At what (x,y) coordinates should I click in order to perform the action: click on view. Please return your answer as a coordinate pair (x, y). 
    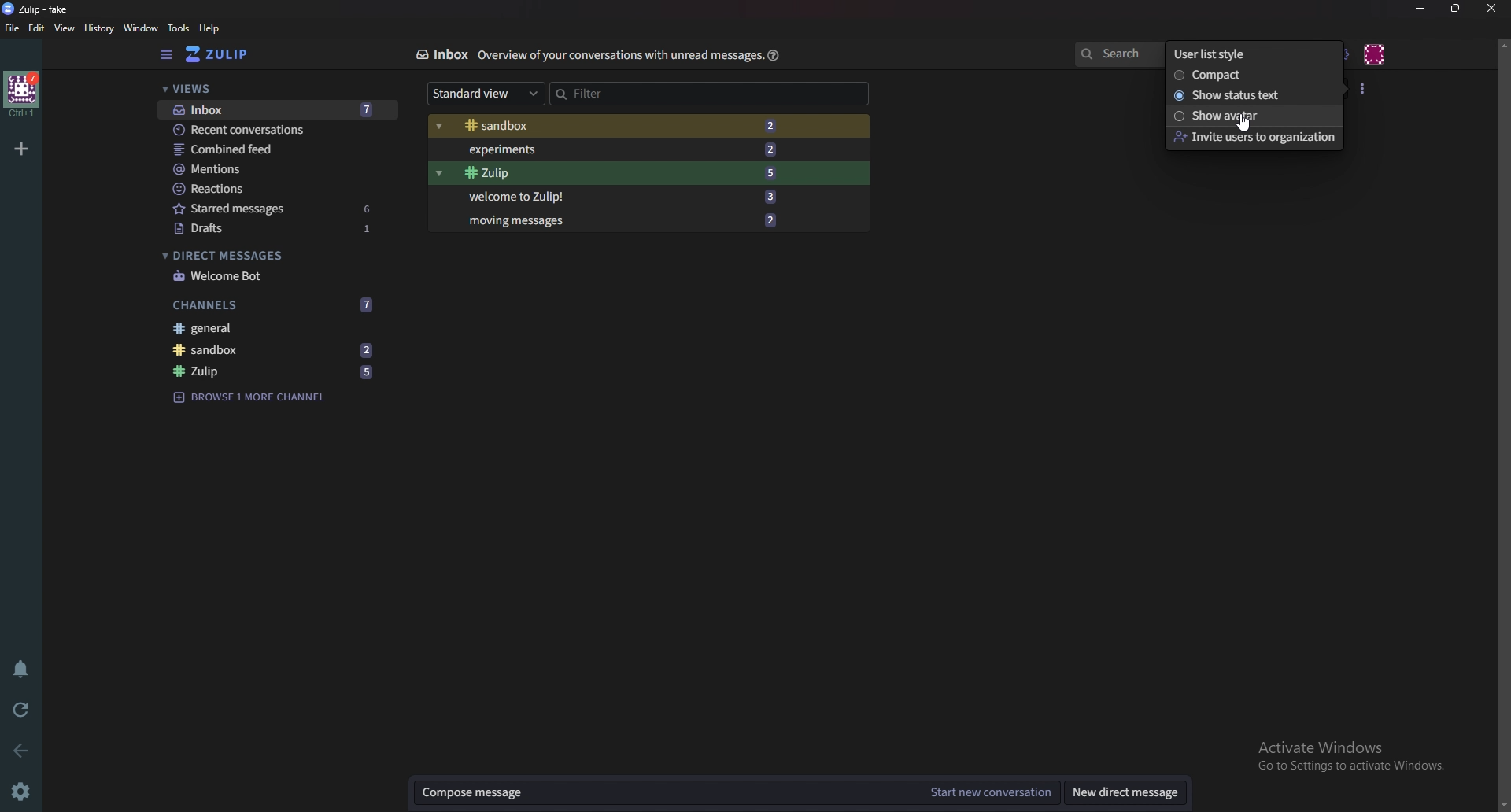
    Looking at the image, I should click on (67, 29).